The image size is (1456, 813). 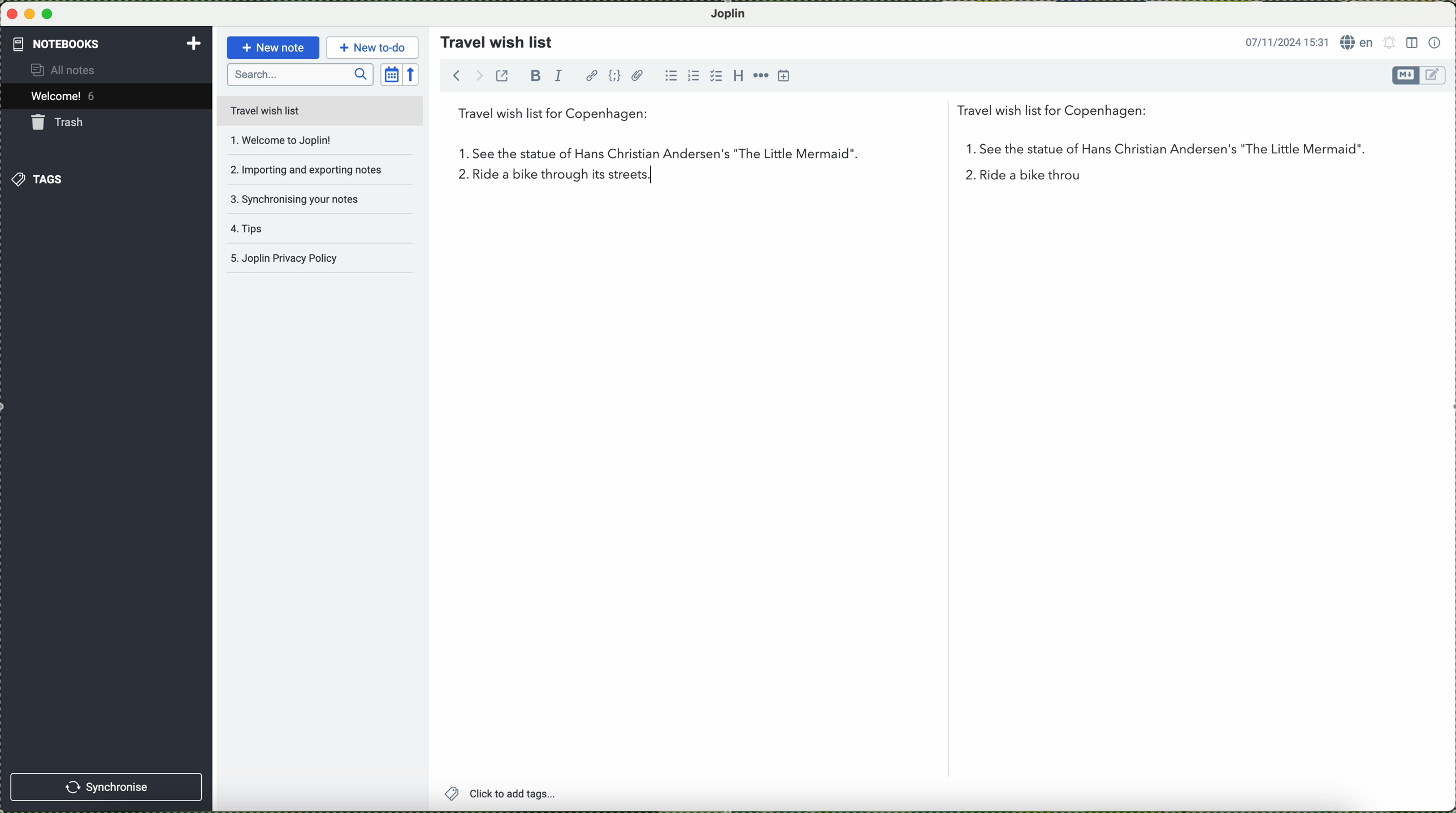 I want to click on new to-do, so click(x=372, y=46).